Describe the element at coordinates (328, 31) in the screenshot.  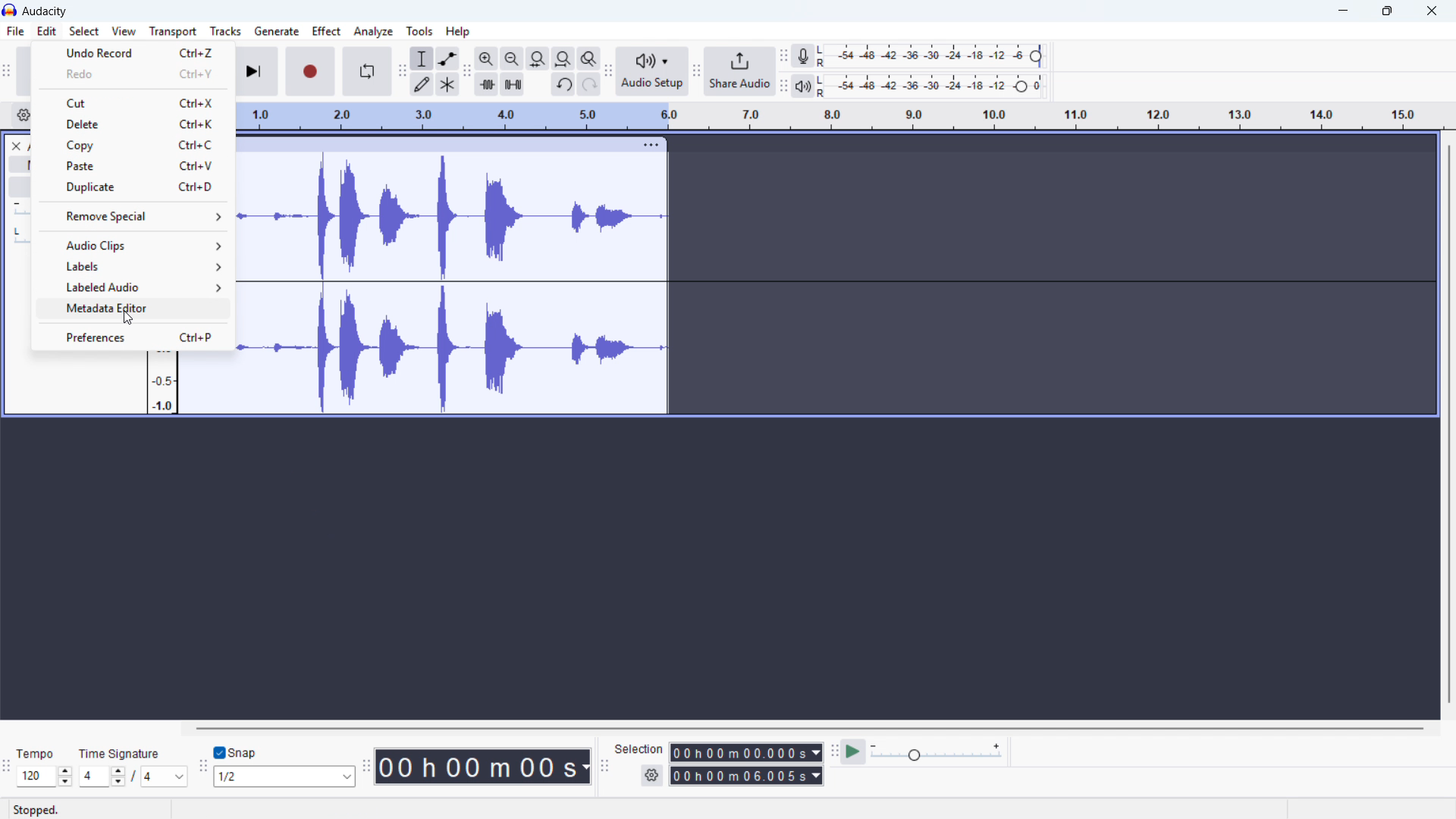
I see `effect` at that location.